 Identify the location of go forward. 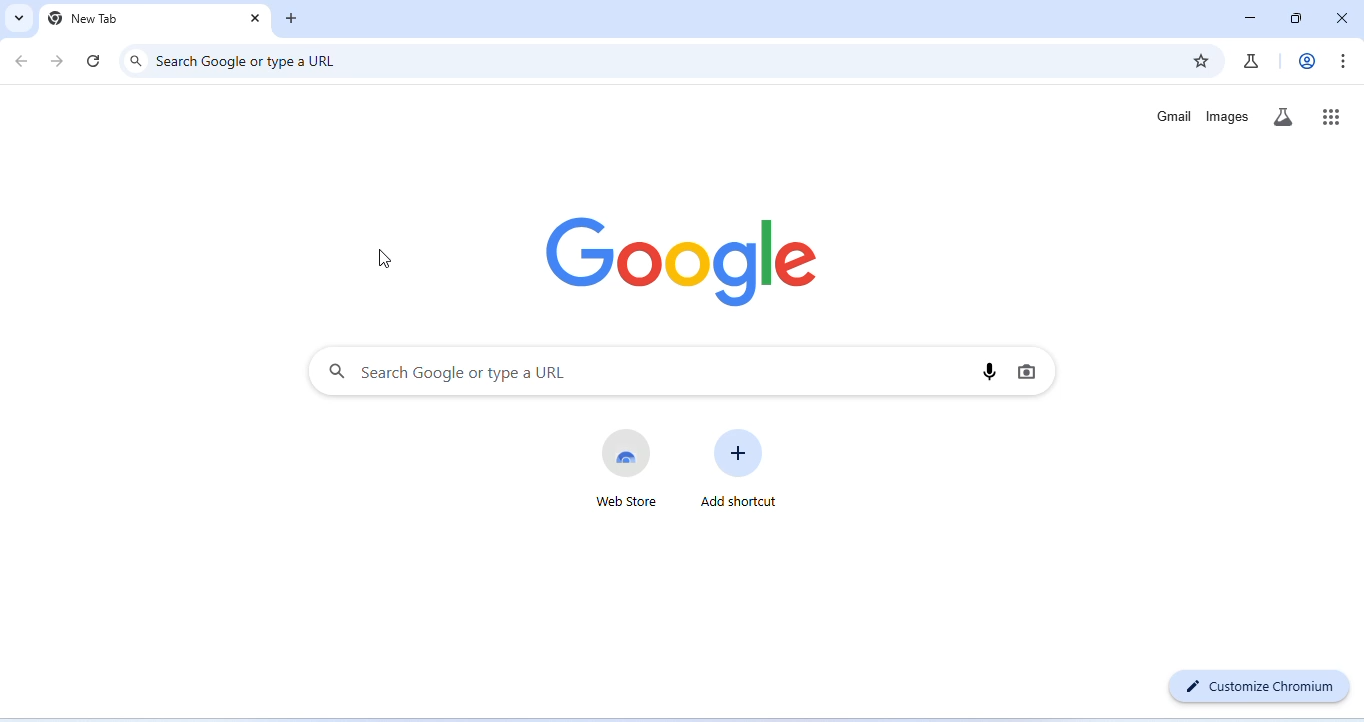
(57, 62).